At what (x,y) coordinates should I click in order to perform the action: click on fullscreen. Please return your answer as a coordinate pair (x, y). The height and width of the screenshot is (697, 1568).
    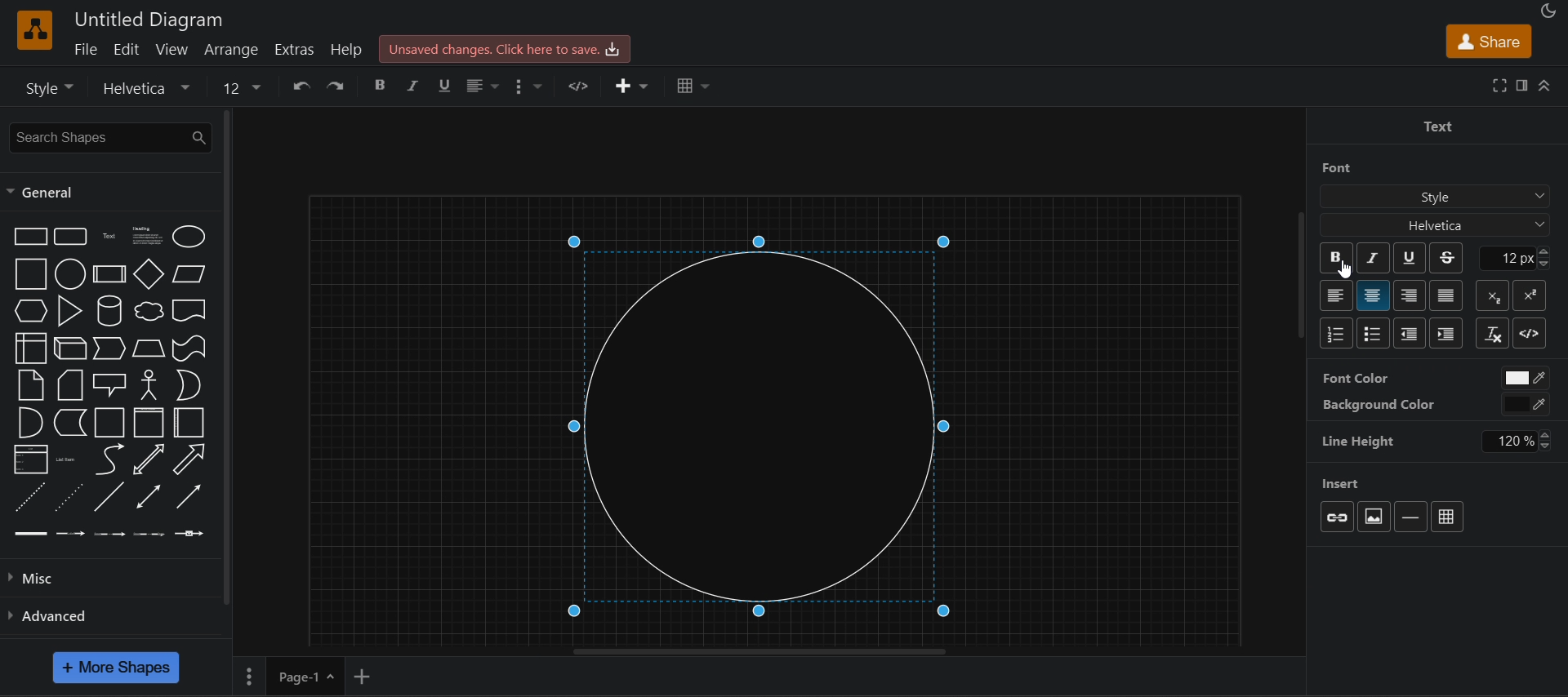
    Looking at the image, I should click on (1499, 86).